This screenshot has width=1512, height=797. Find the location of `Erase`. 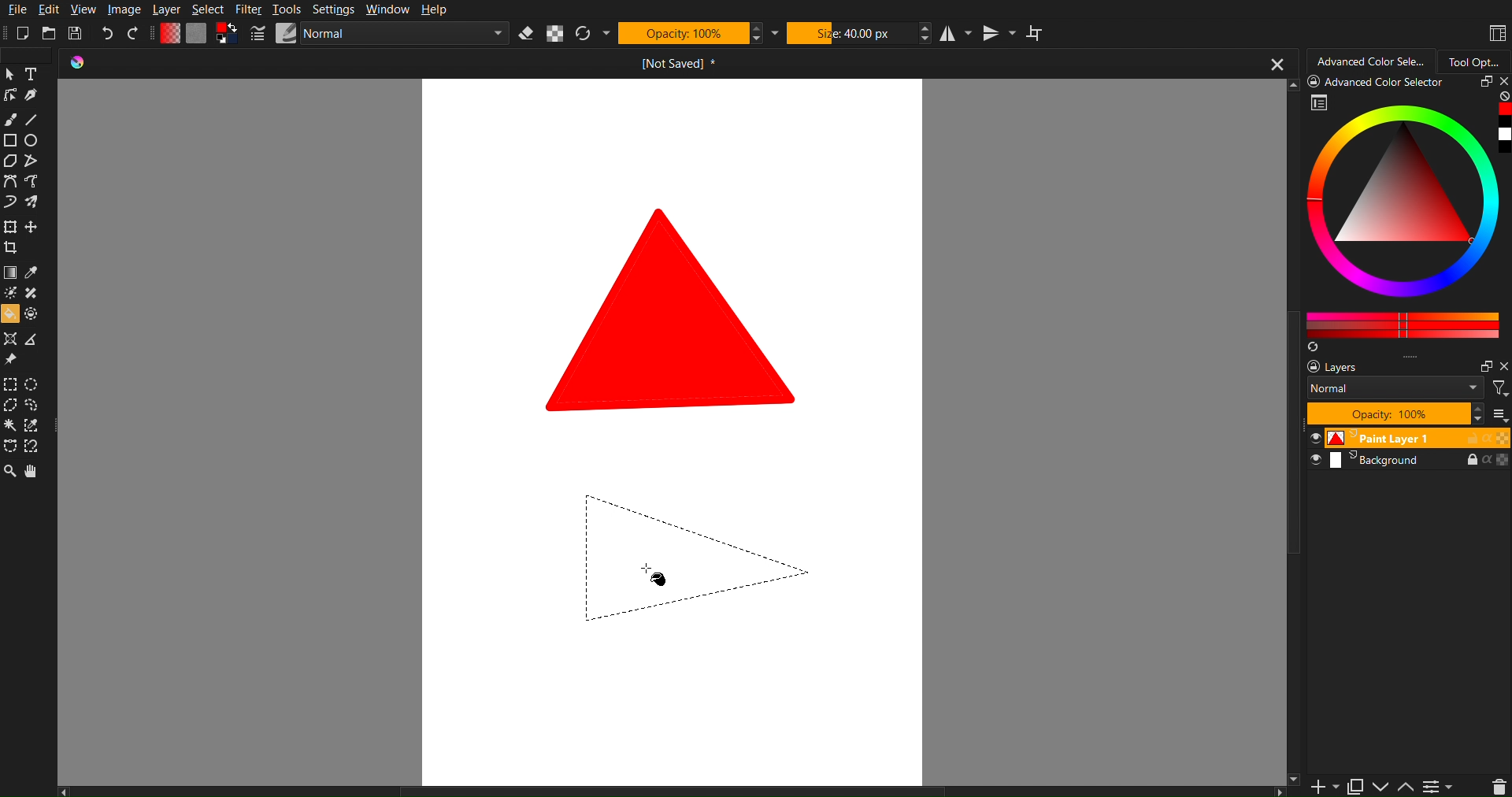

Erase is located at coordinates (529, 35).